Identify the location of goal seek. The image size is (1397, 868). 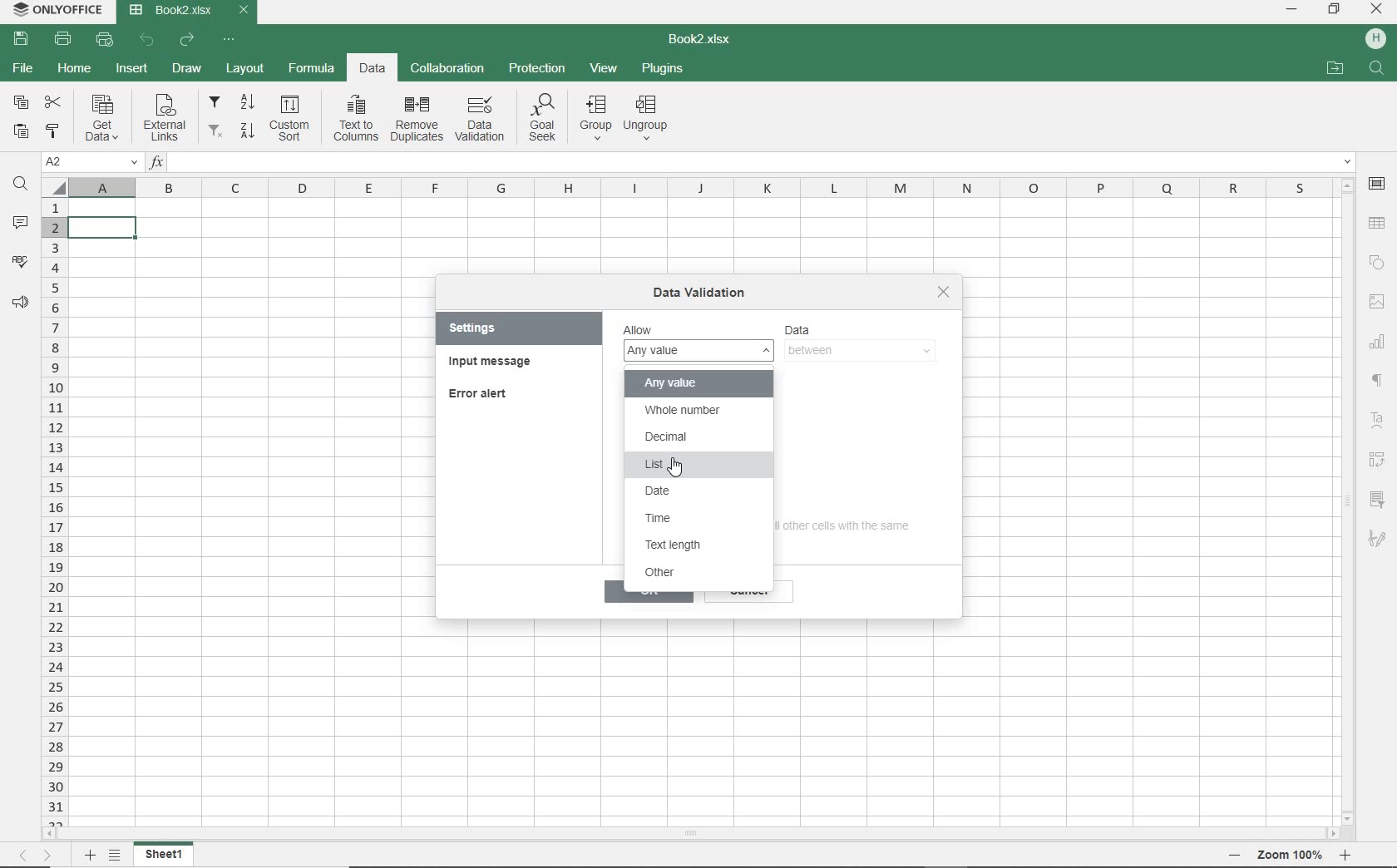
(544, 116).